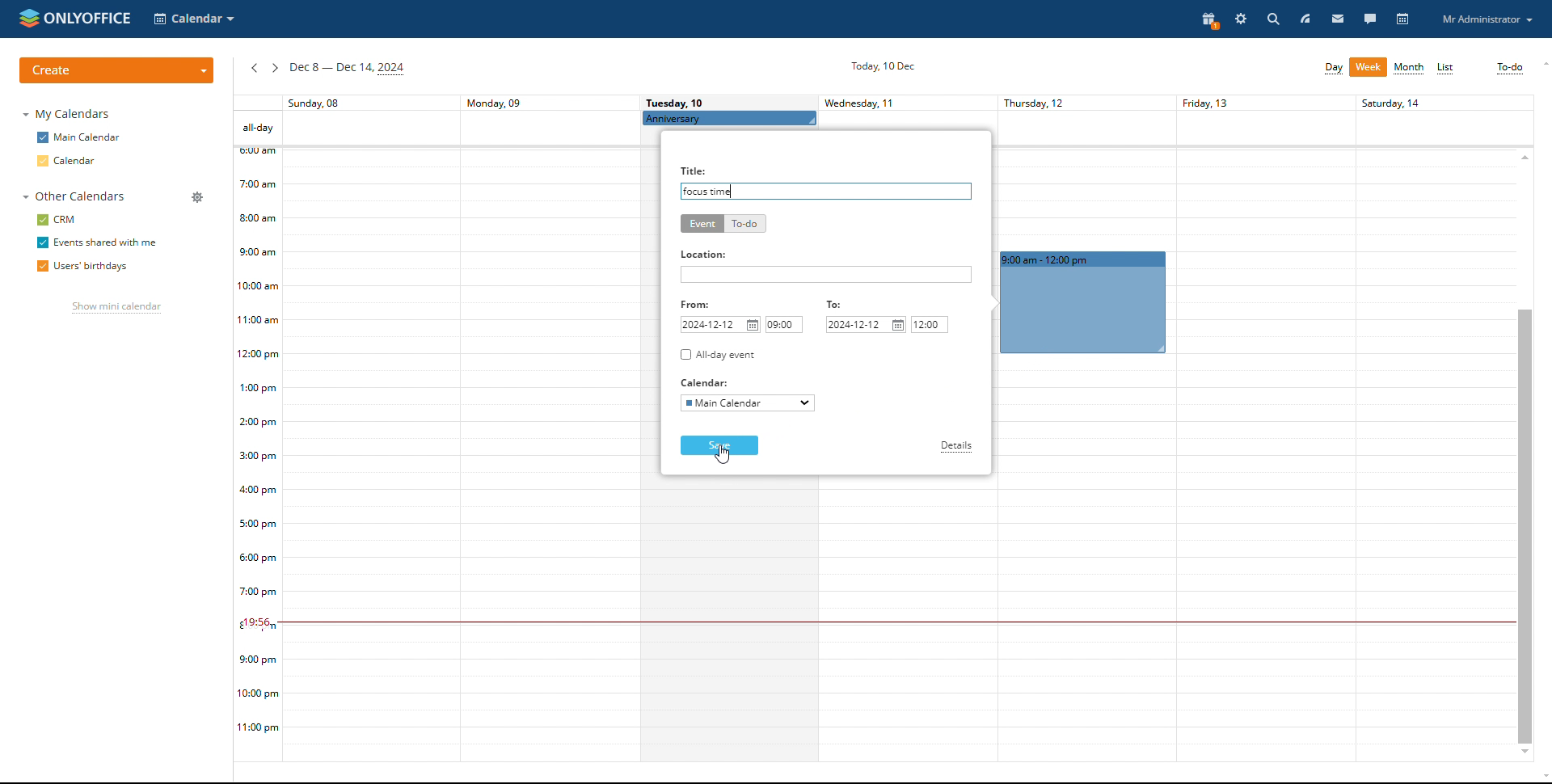 The width and height of the screenshot is (1552, 784). I want to click on event duration booked, so click(1084, 302).